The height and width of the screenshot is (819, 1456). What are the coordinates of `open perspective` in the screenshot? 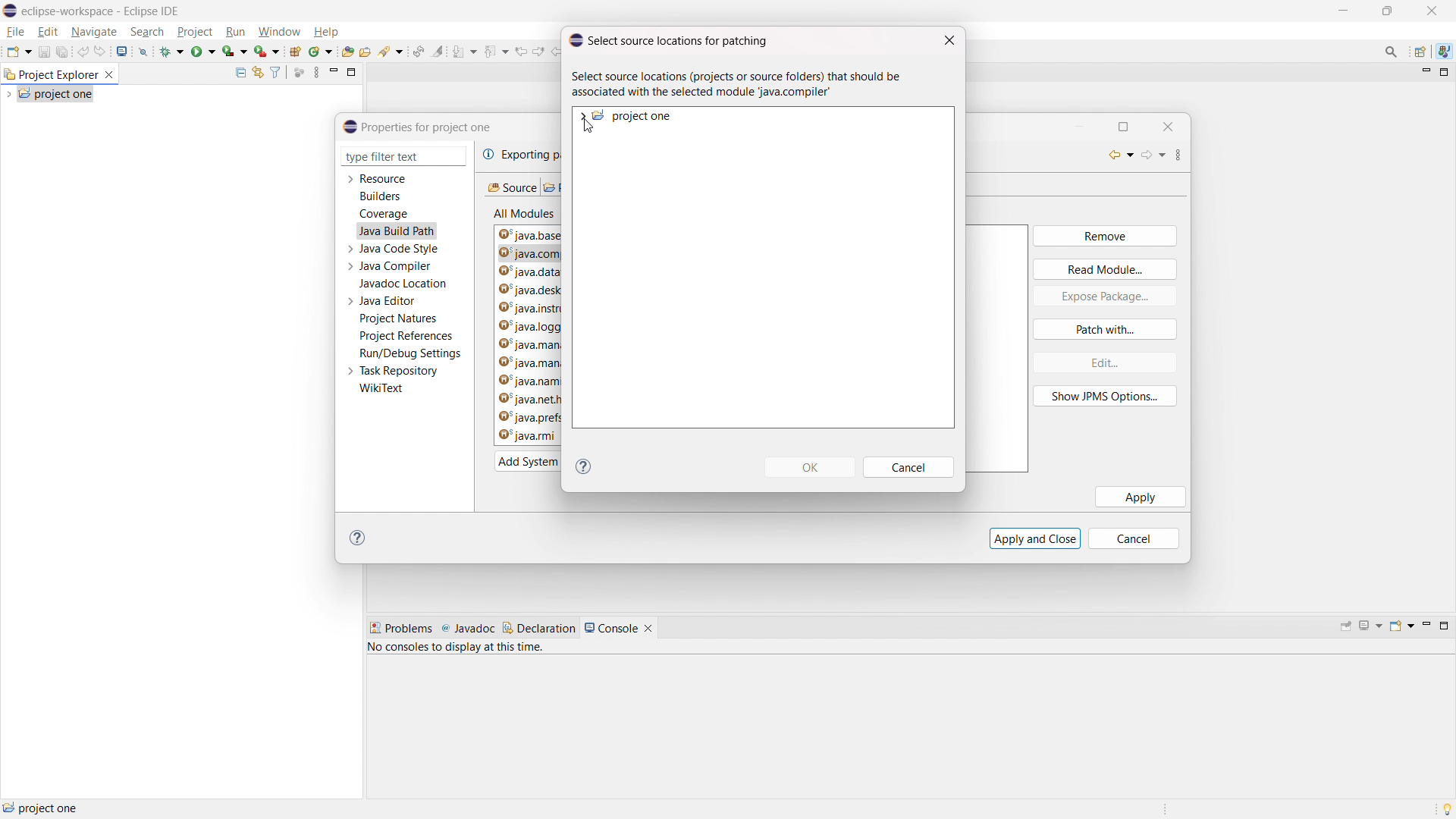 It's located at (1421, 52).